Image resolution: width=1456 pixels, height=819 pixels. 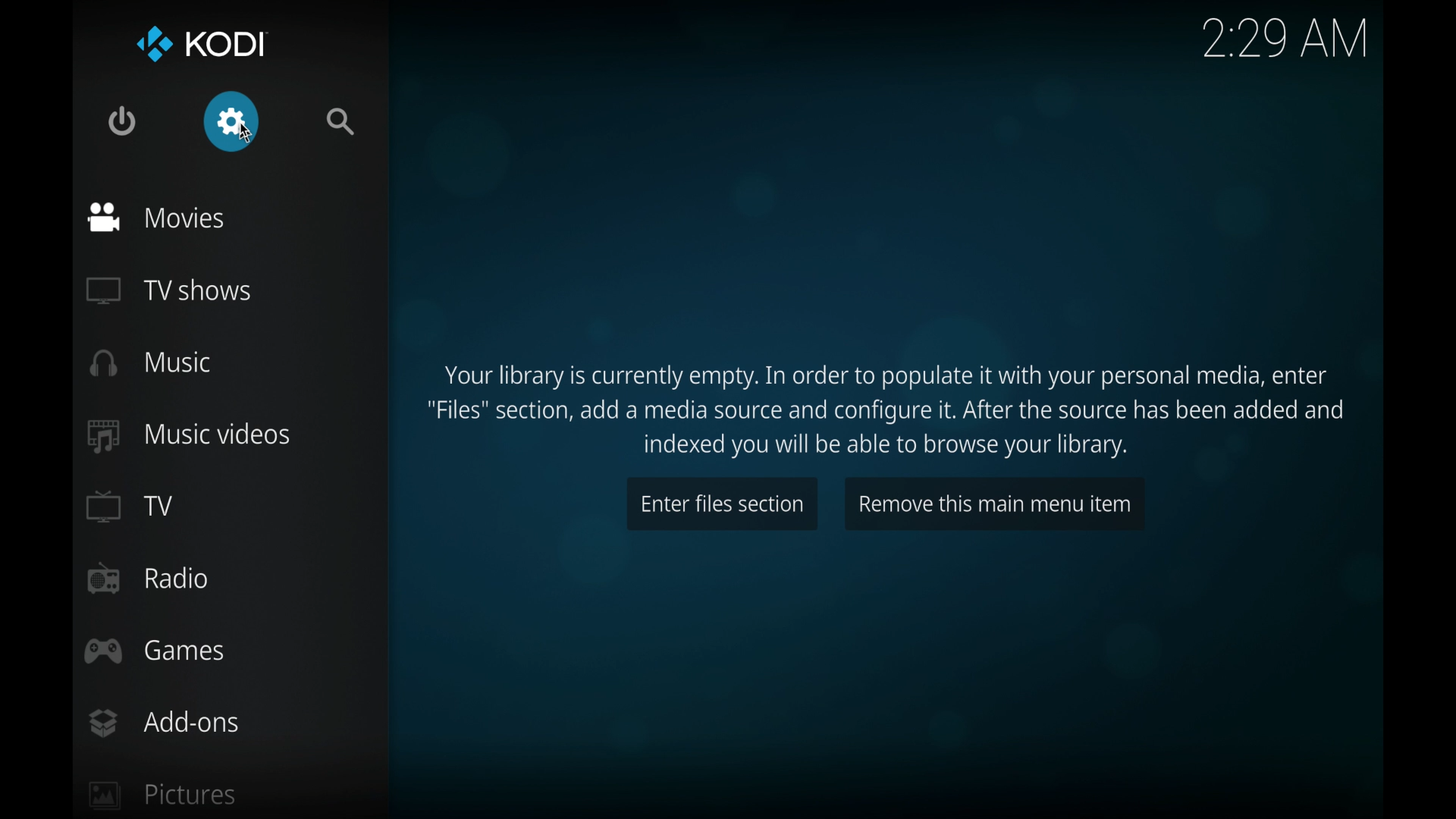 What do you see at coordinates (154, 651) in the screenshot?
I see `games` at bounding box center [154, 651].